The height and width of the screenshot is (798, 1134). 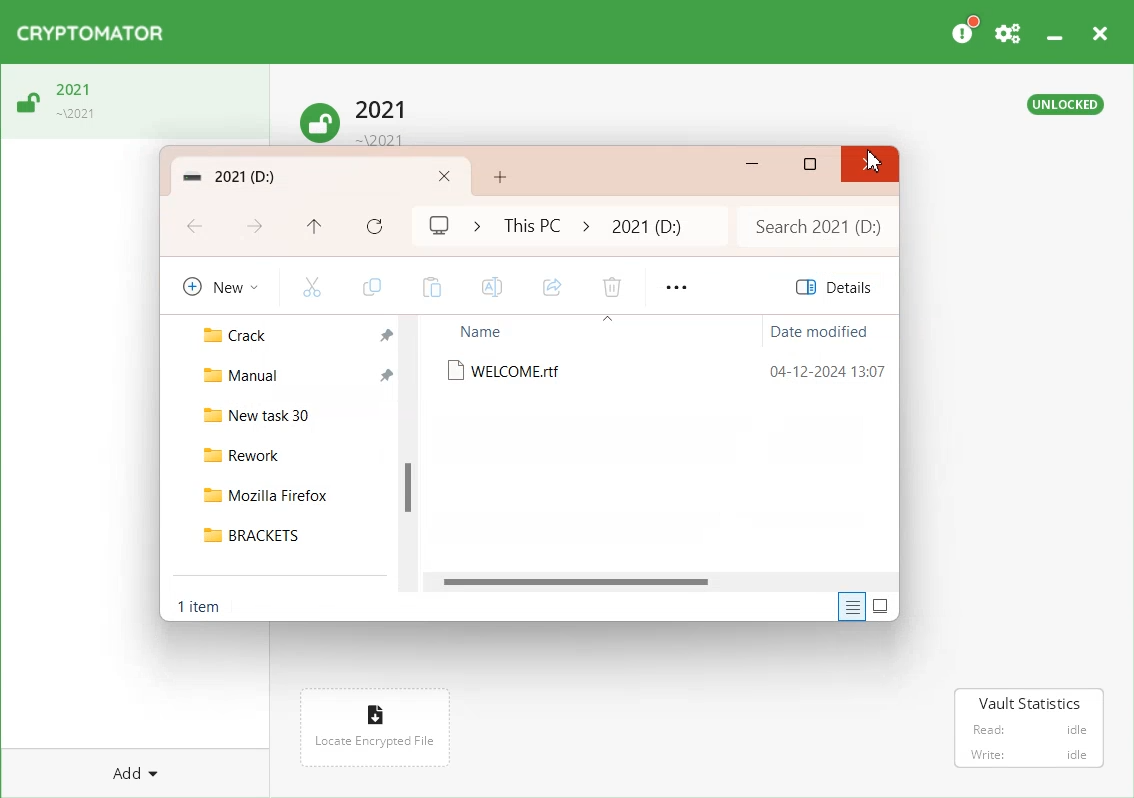 What do you see at coordinates (315, 226) in the screenshot?
I see `Up to This PC` at bounding box center [315, 226].